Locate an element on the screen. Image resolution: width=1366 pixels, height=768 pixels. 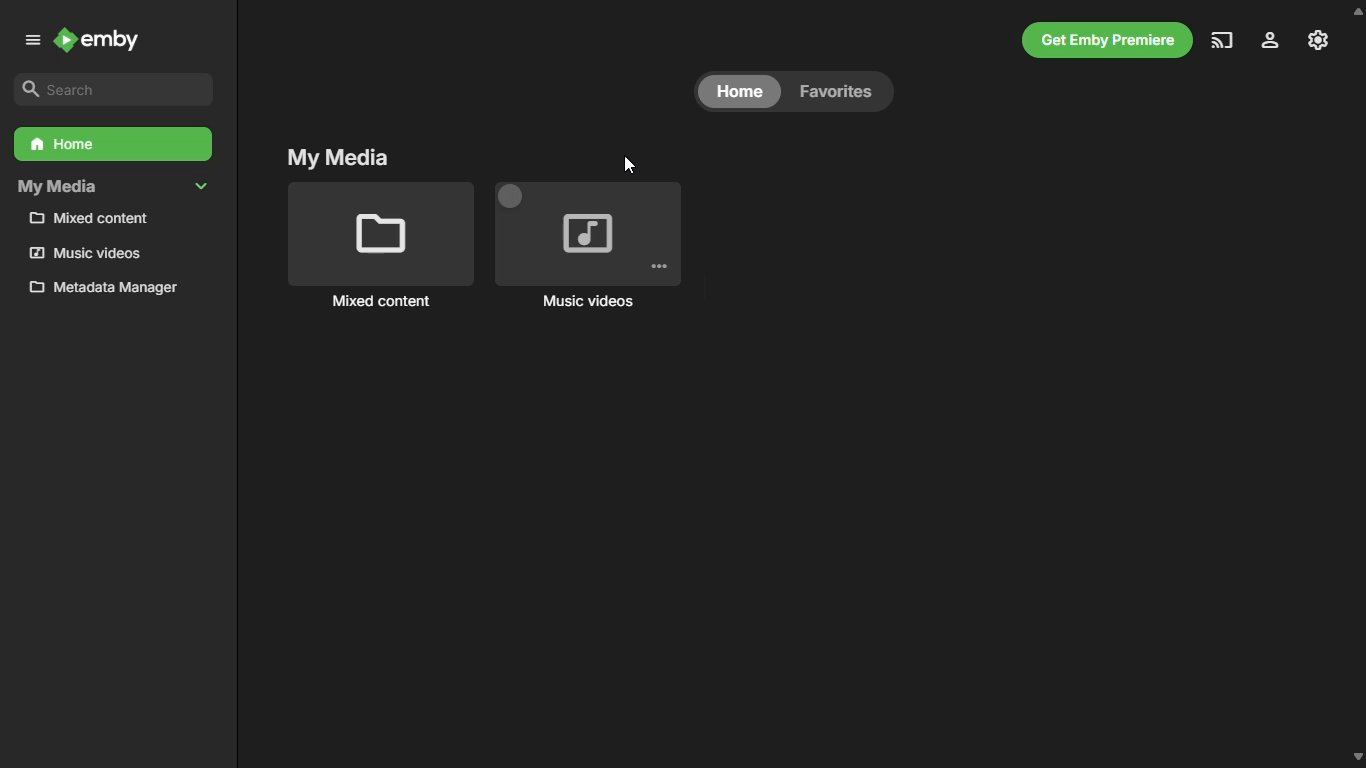
mixed content is located at coordinates (381, 249).